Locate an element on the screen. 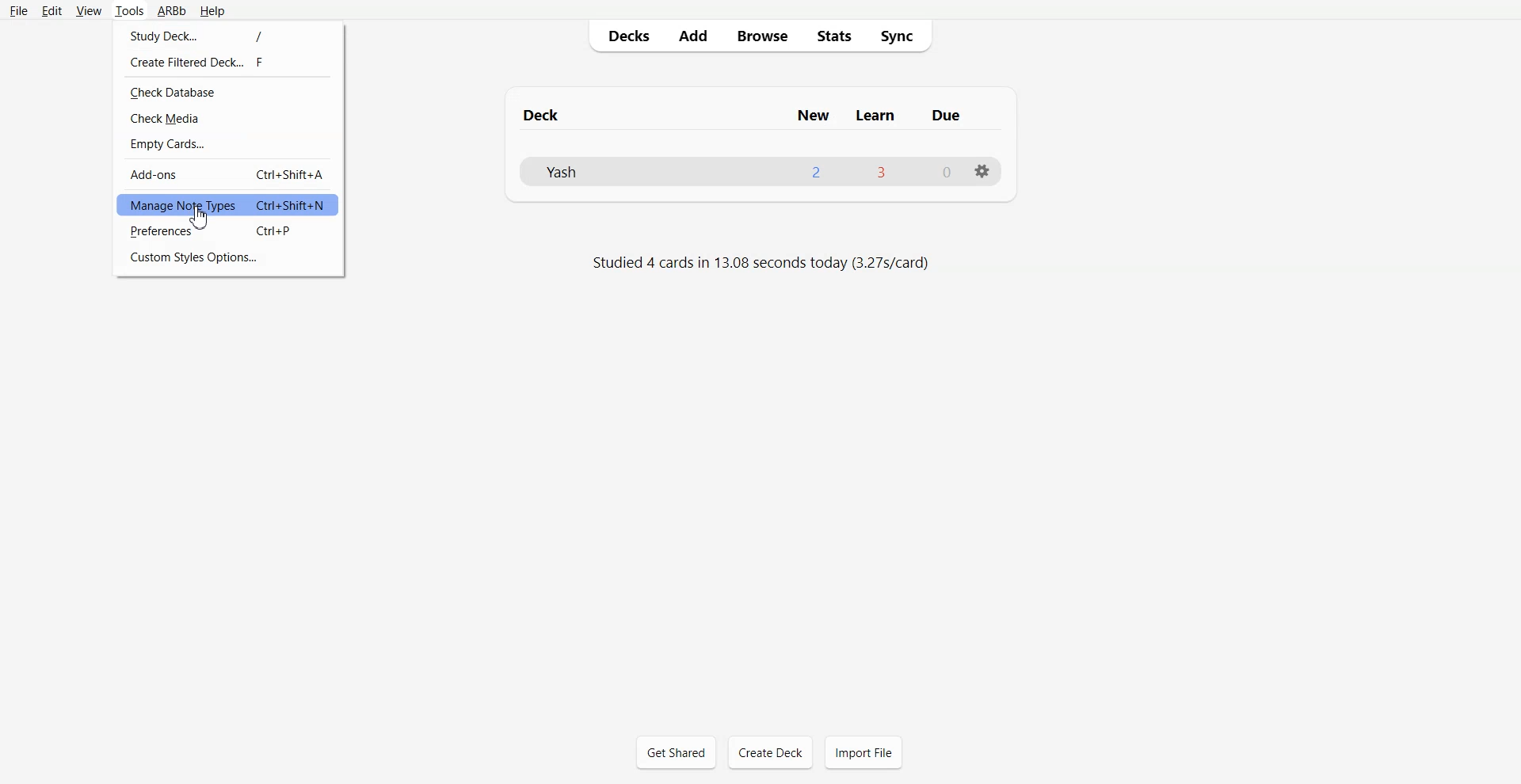 The height and width of the screenshot is (784, 1521). Manage Note Types is located at coordinates (228, 205).